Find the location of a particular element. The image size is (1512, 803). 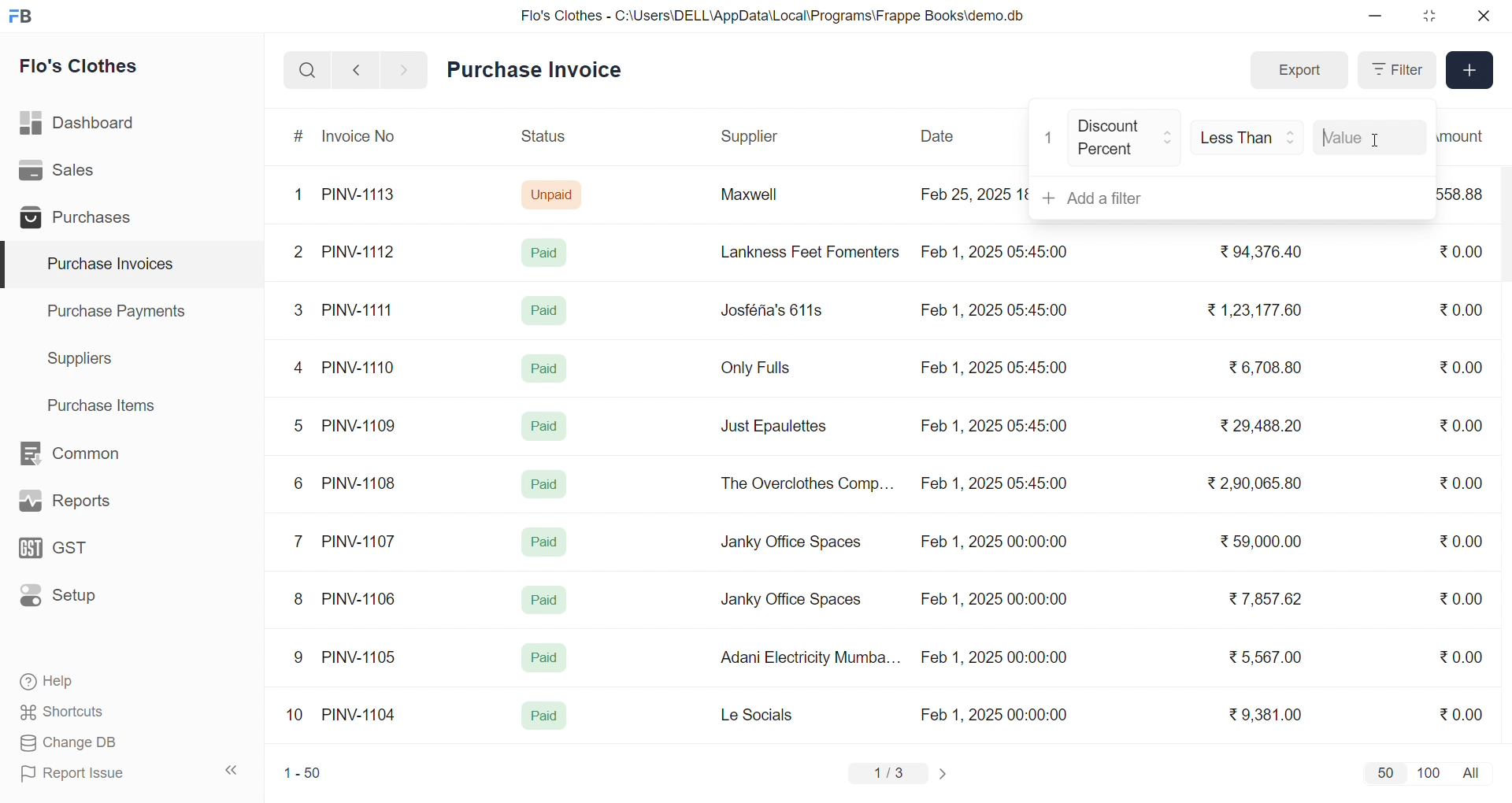

Supplier is located at coordinates (752, 137).